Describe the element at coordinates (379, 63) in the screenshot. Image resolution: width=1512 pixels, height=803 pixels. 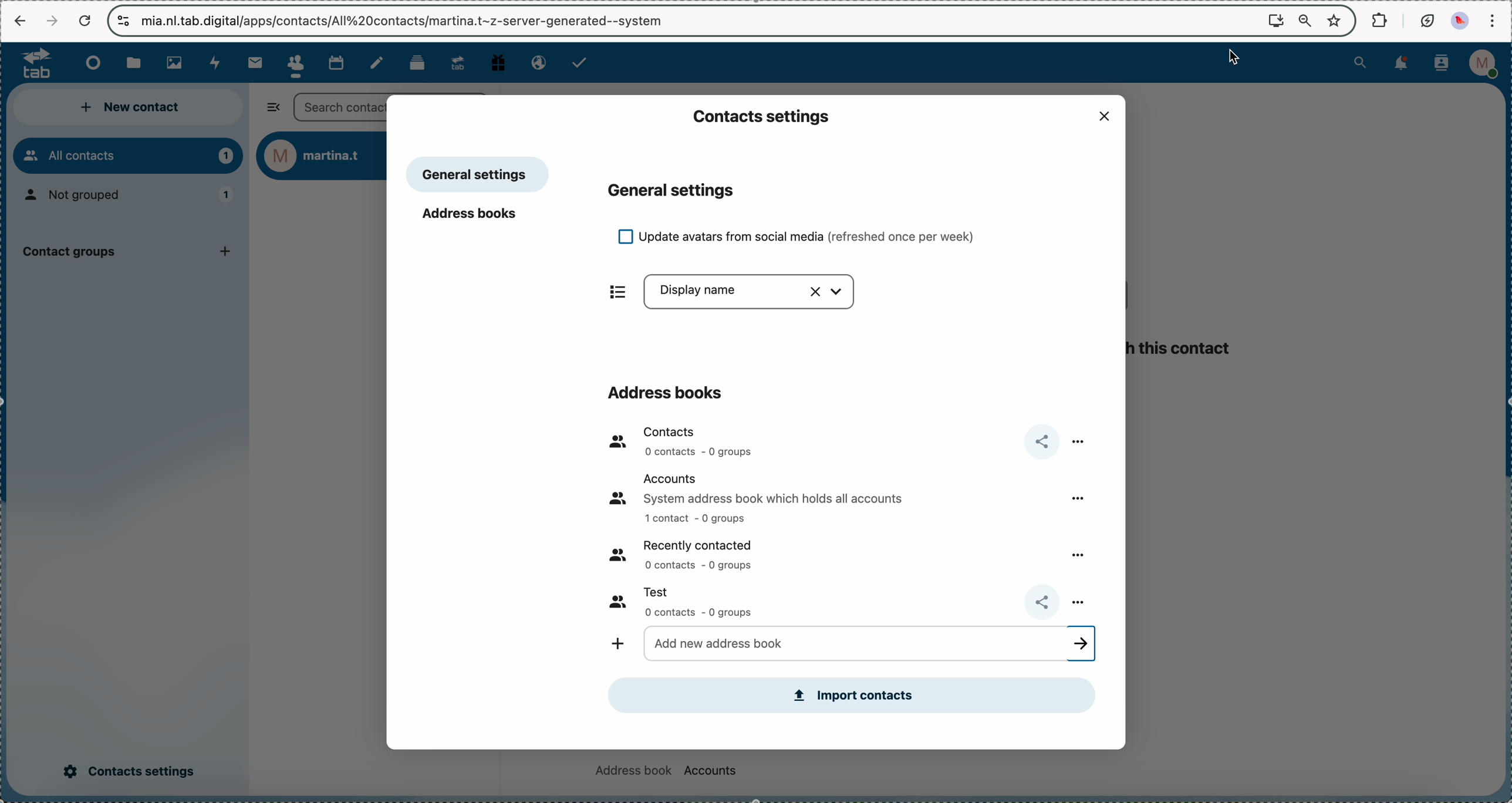
I see `notes` at that location.